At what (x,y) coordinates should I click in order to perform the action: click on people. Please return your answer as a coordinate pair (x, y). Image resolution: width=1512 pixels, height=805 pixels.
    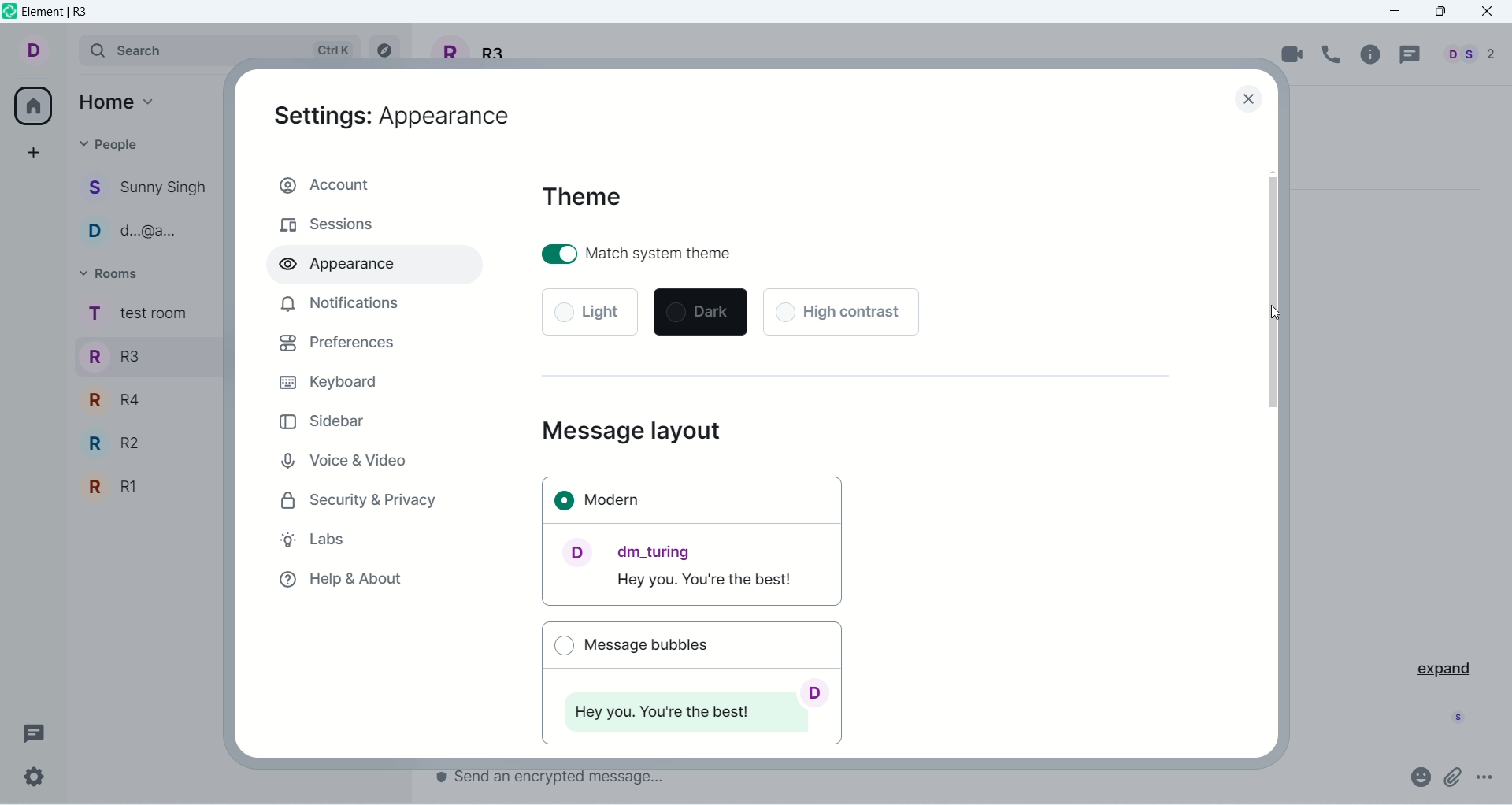
    Looking at the image, I should click on (112, 143).